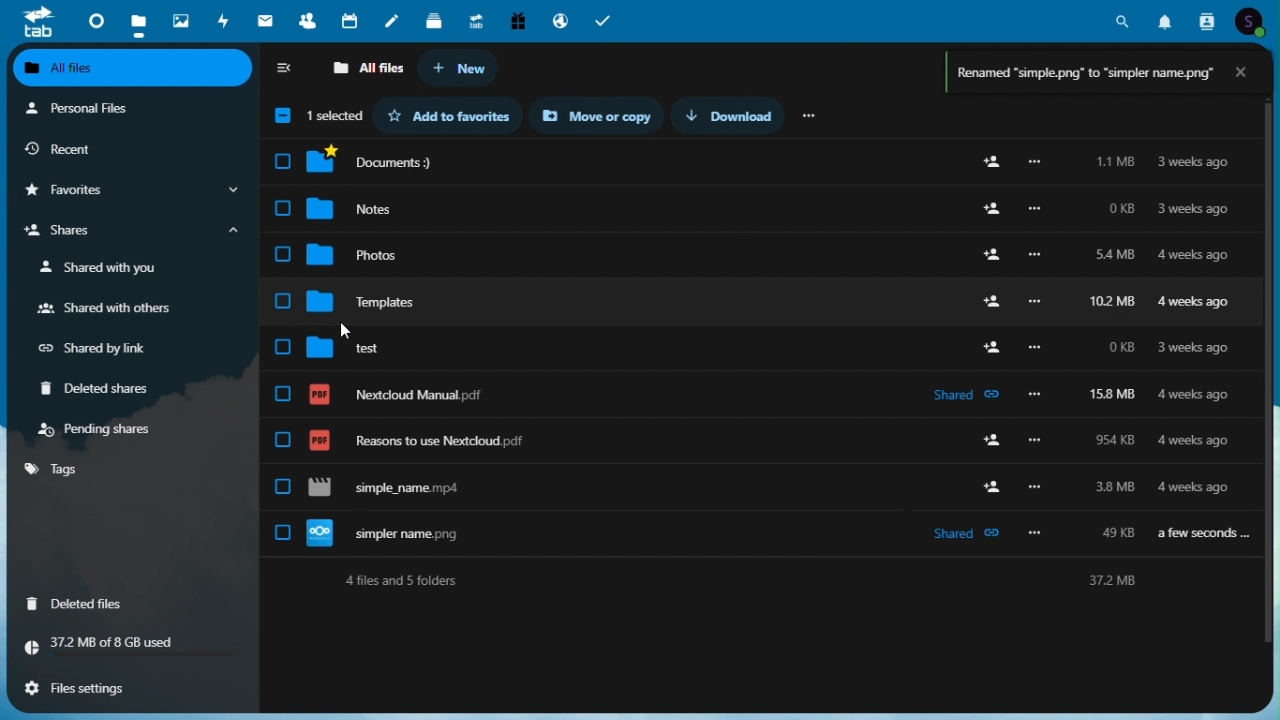  What do you see at coordinates (136, 19) in the screenshot?
I see `files` at bounding box center [136, 19].